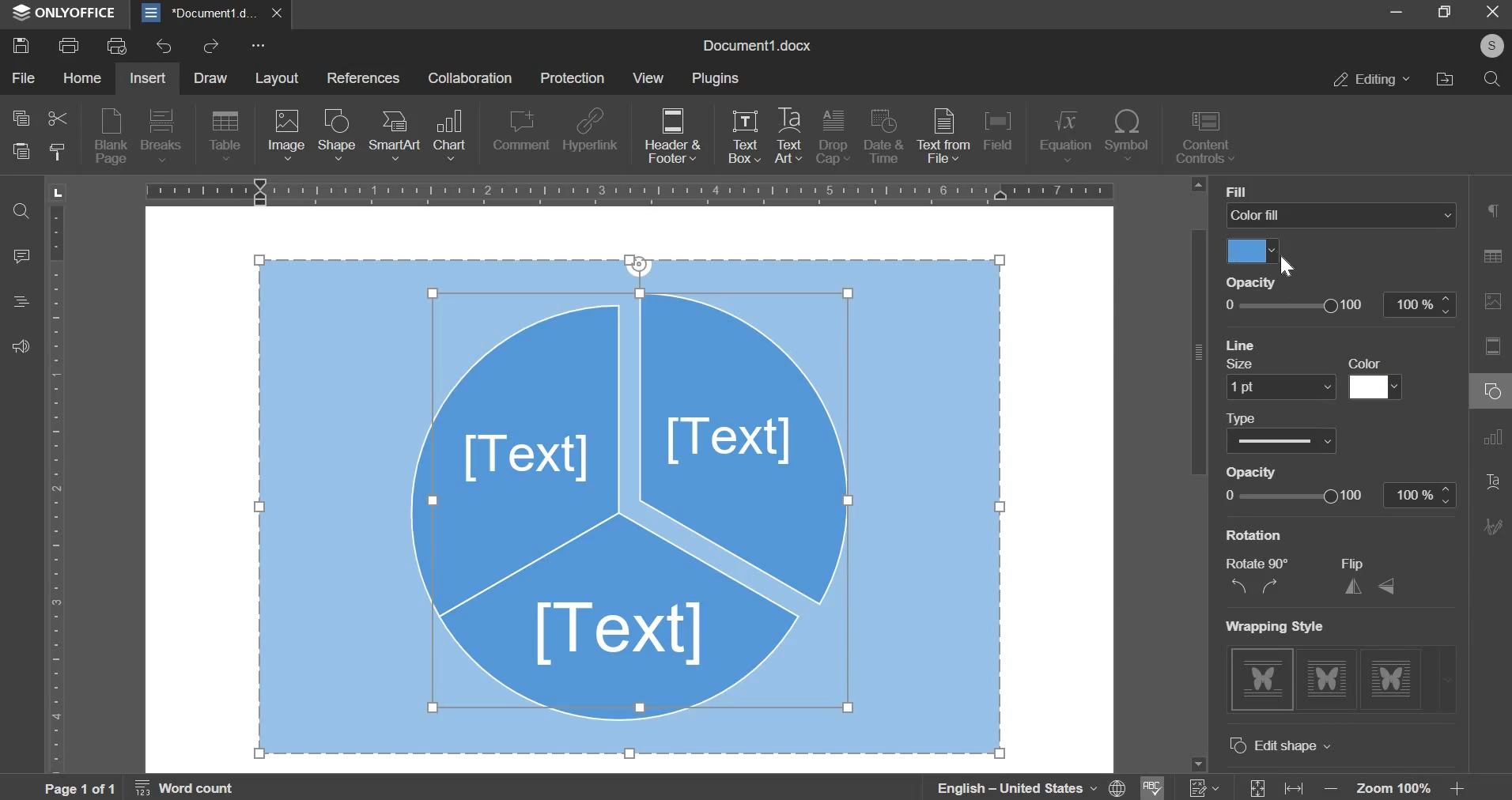 This screenshot has height=800, width=1512. Describe the element at coordinates (1278, 535) in the screenshot. I see `` at that location.